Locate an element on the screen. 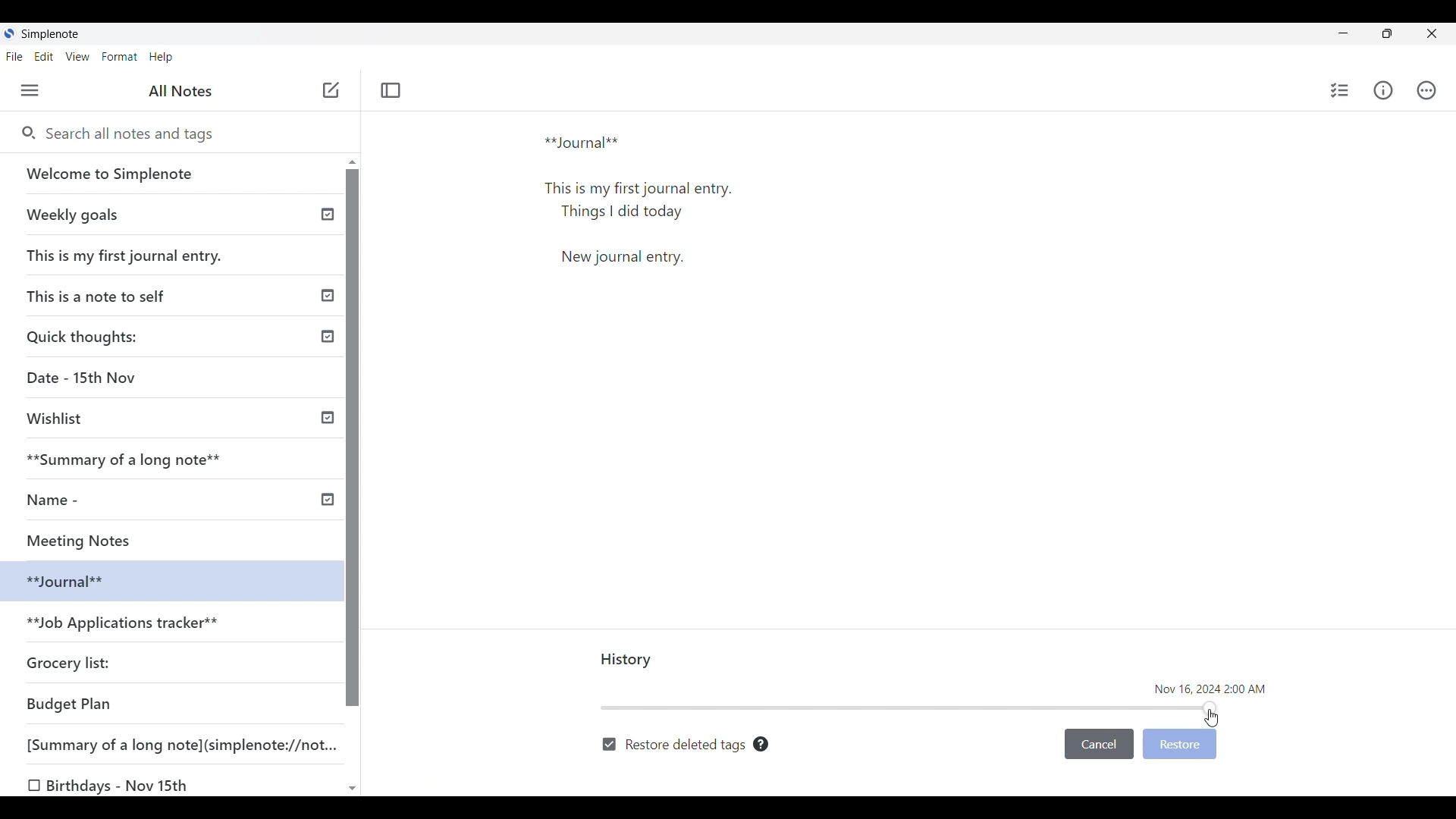 The image size is (1456, 819). View menu is located at coordinates (78, 57).